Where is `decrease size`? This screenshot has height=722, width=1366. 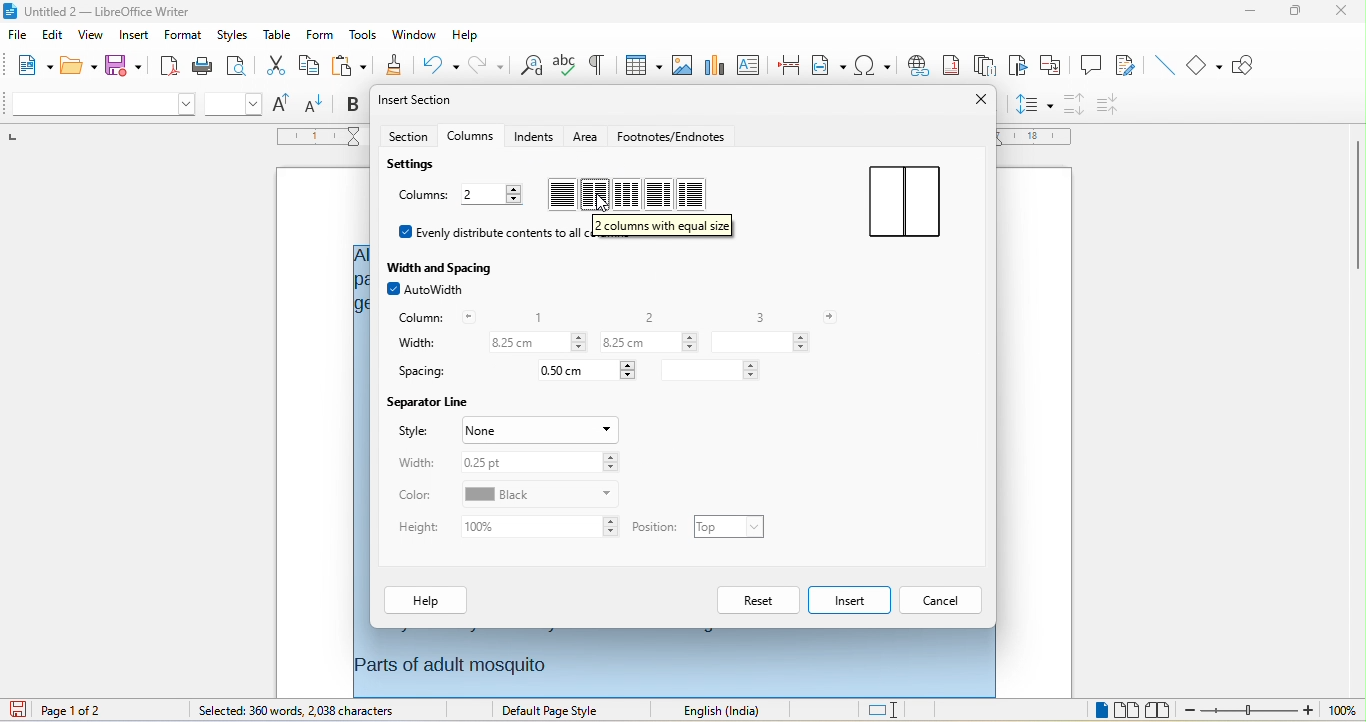 decrease size is located at coordinates (315, 103).